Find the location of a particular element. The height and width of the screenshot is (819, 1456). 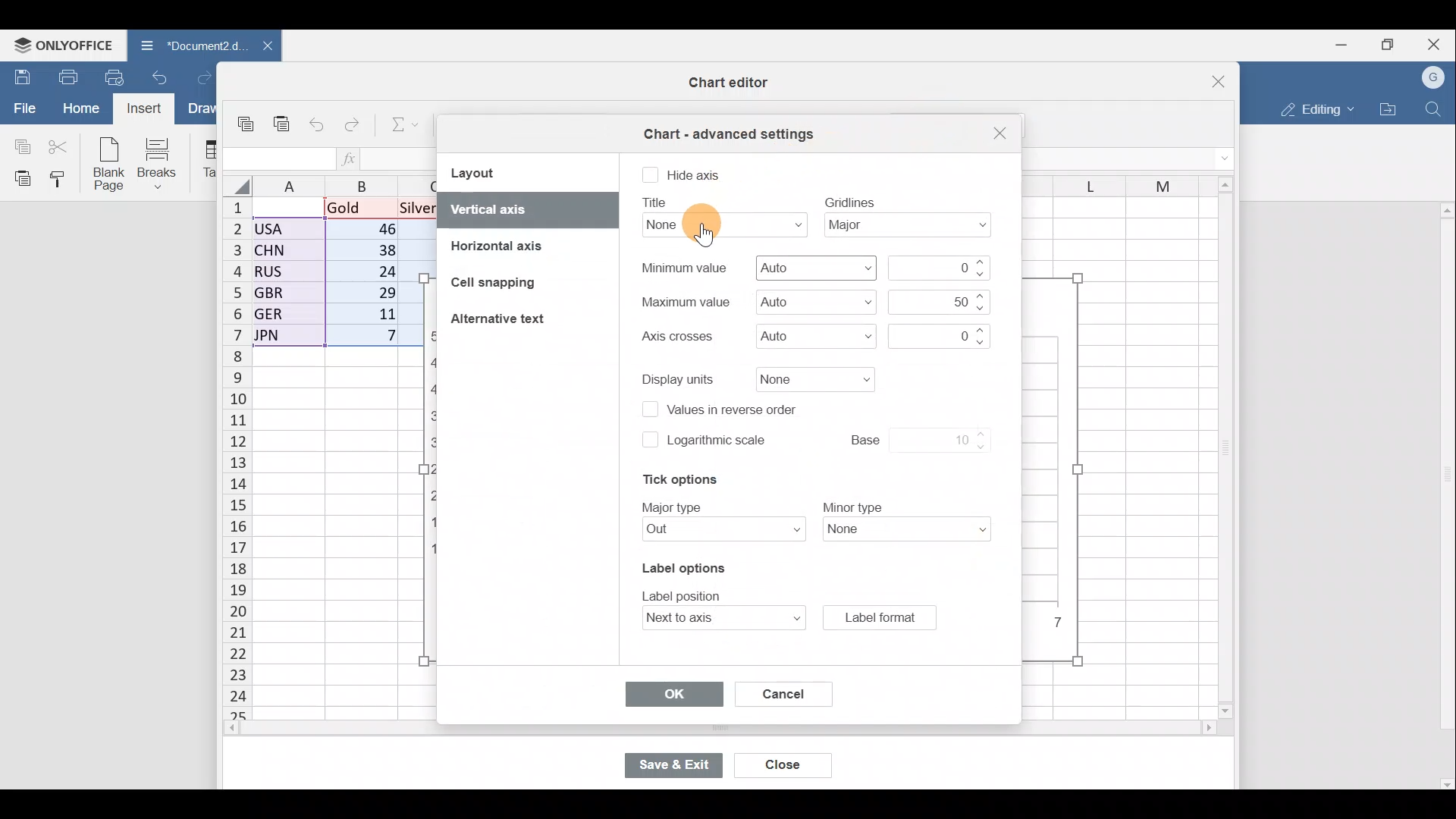

checkbox is located at coordinates (648, 439).